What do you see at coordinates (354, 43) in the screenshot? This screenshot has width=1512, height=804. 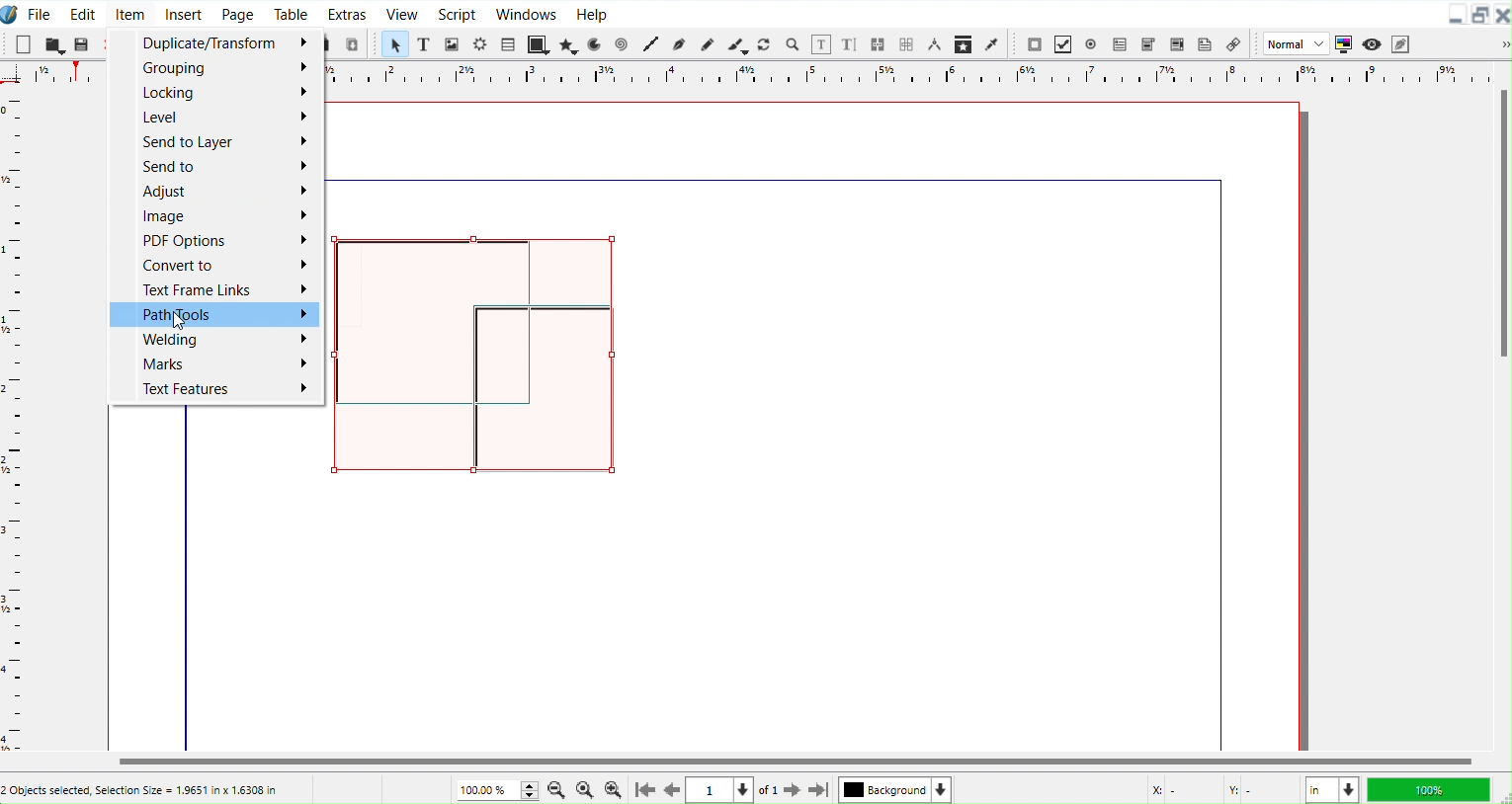 I see `Paste` at bounding box center [354, 43].